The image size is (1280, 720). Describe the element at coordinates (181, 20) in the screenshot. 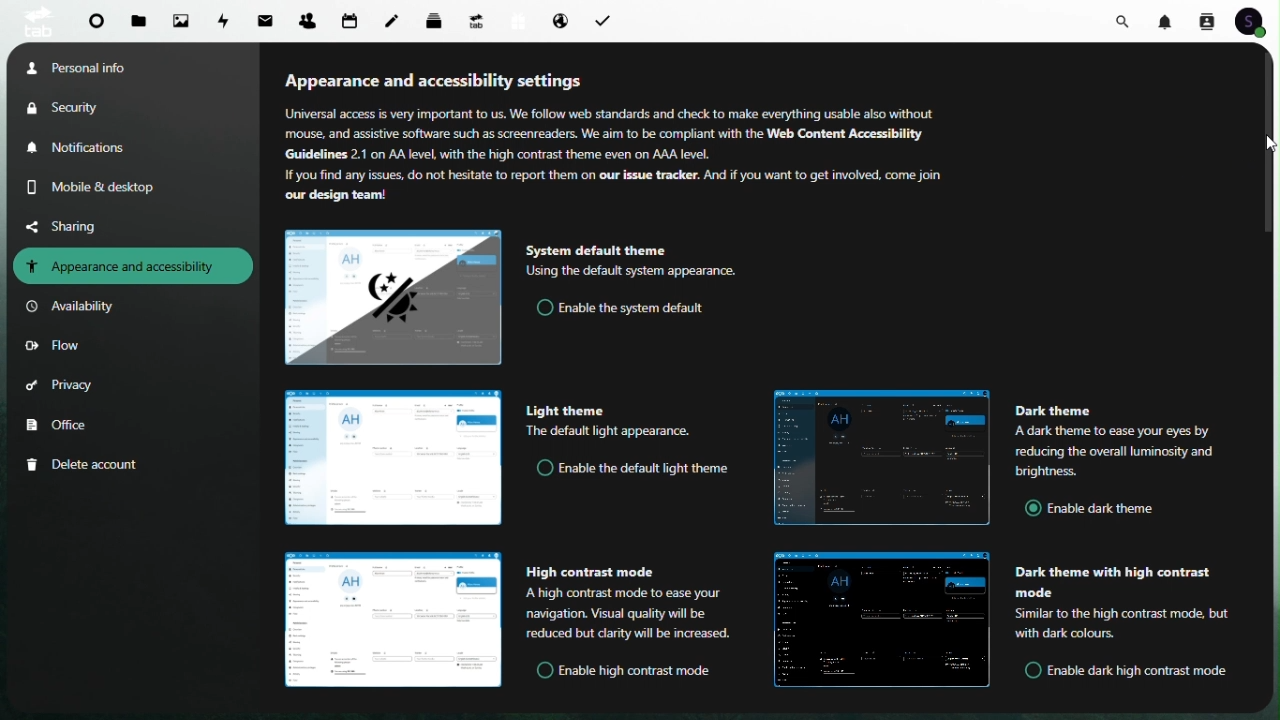

I see `Photos` at that location.